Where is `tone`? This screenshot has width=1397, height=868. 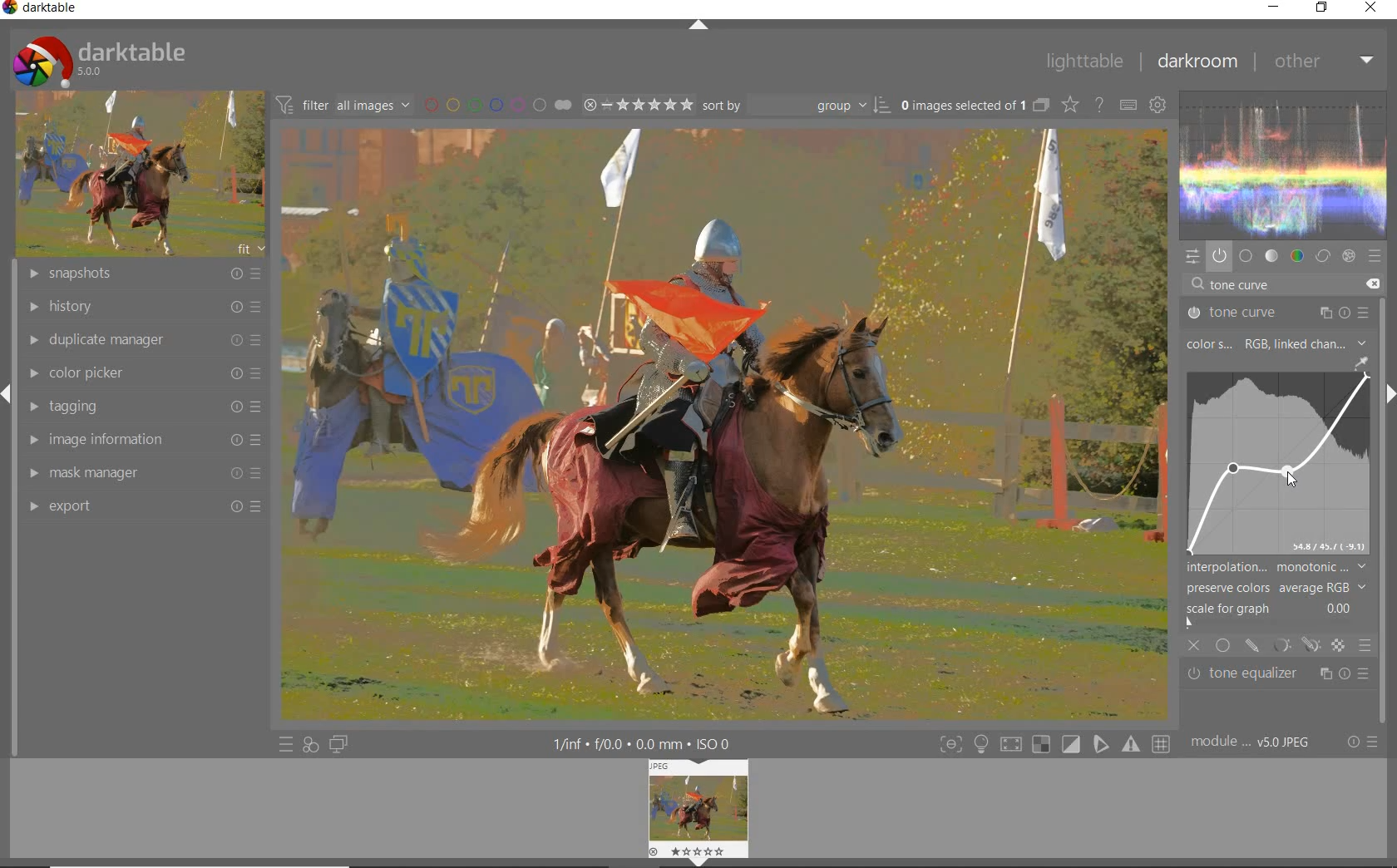 tone is located at coordinates (1272, 256).